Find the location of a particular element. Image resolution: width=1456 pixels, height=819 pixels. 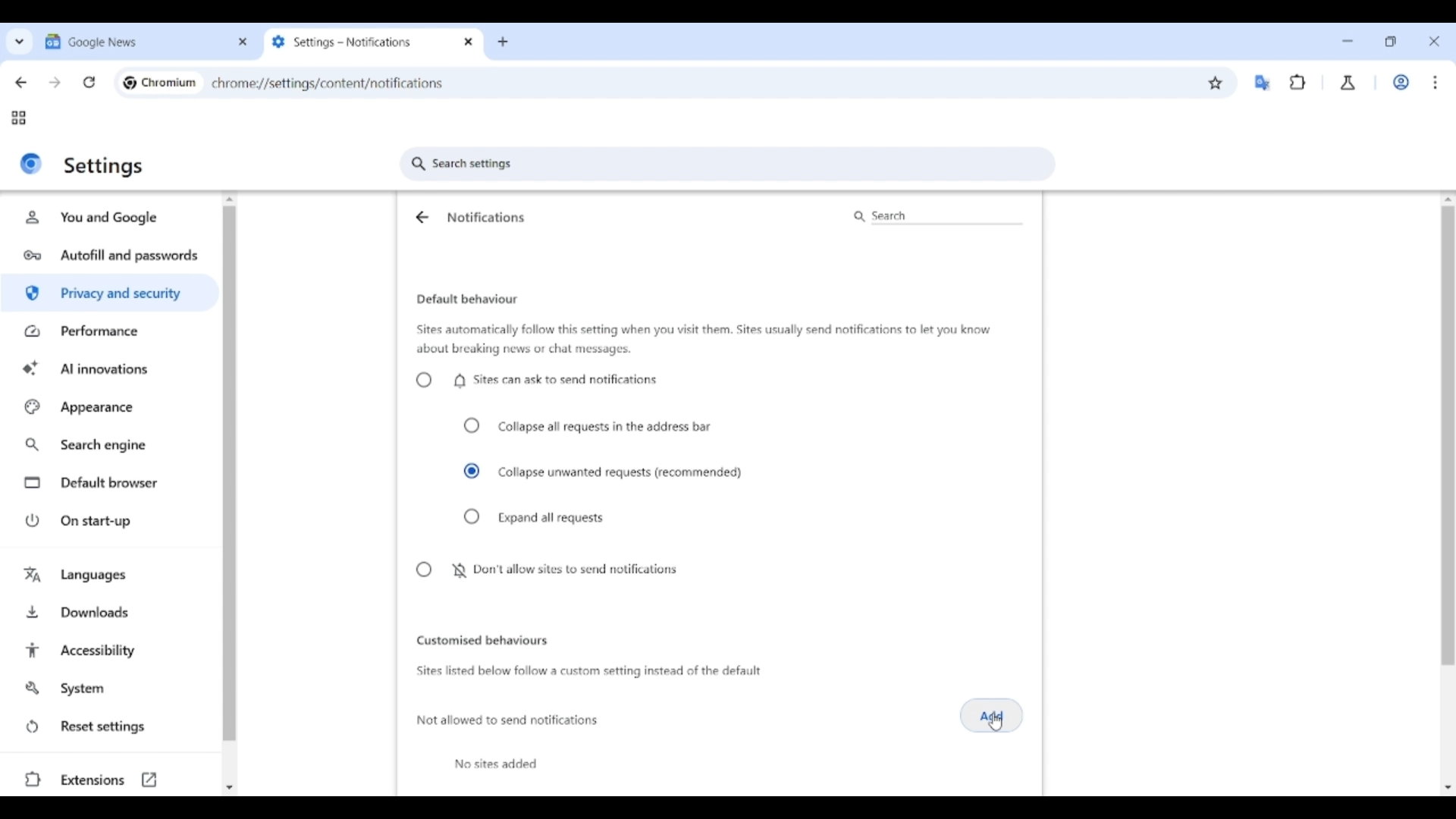

Work is located at coordinates (1401, 82).